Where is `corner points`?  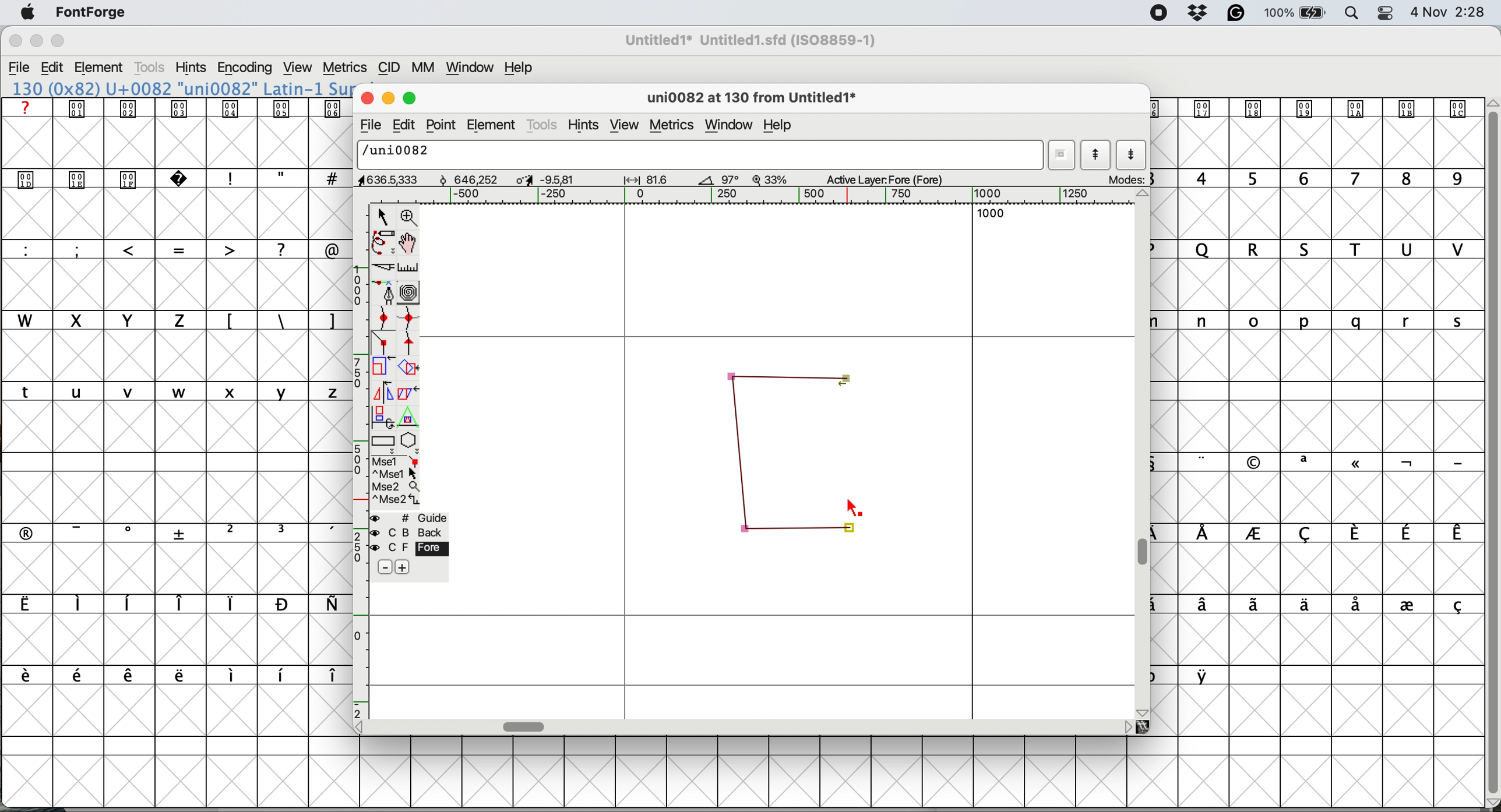
corner points is located at coordinates (852, 529).